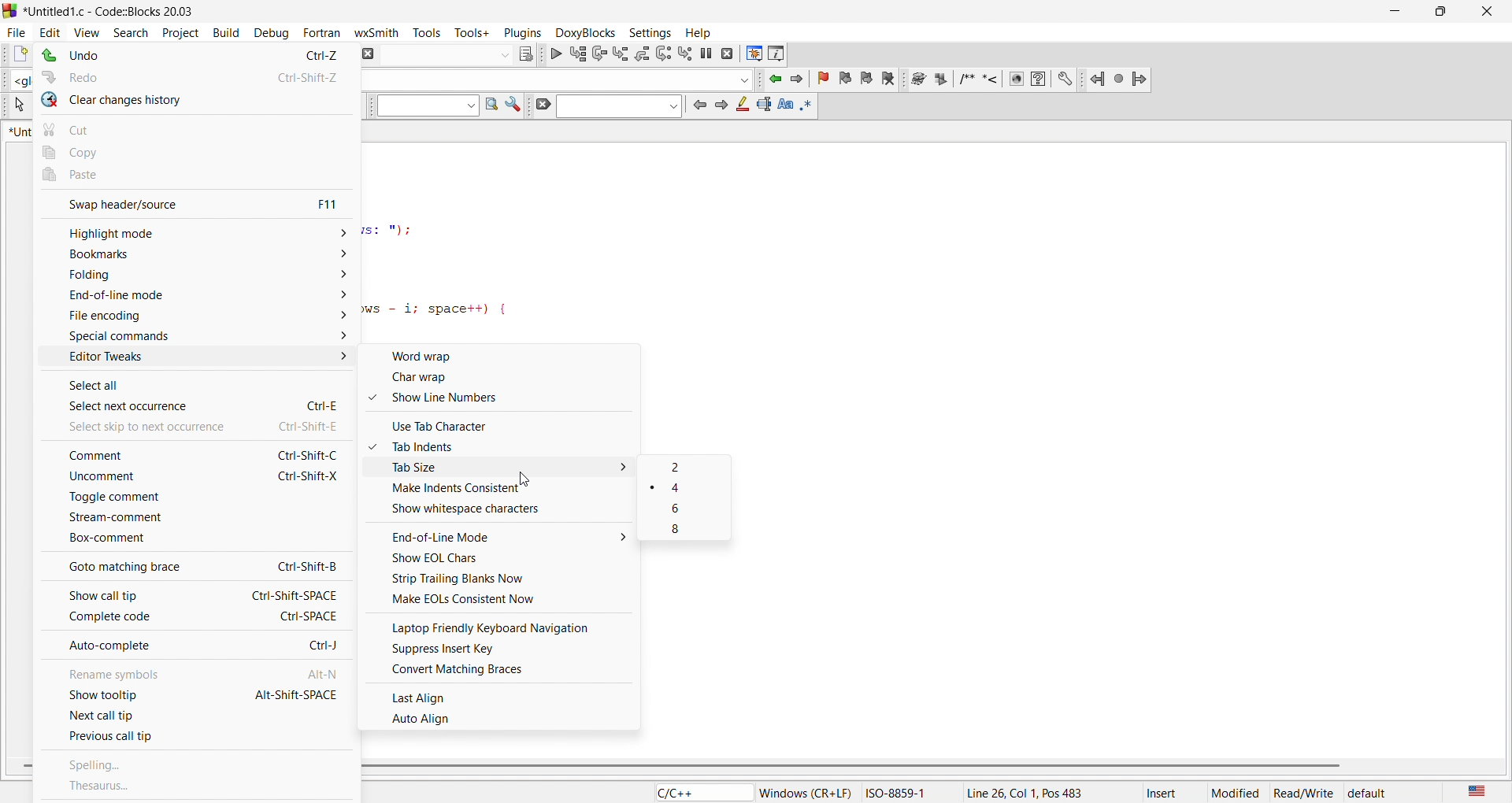 The height and width of the screenshot is (803, 1512). Describe the element at coordinates (697, 105) in the screenshot. I see `icon` at that location.